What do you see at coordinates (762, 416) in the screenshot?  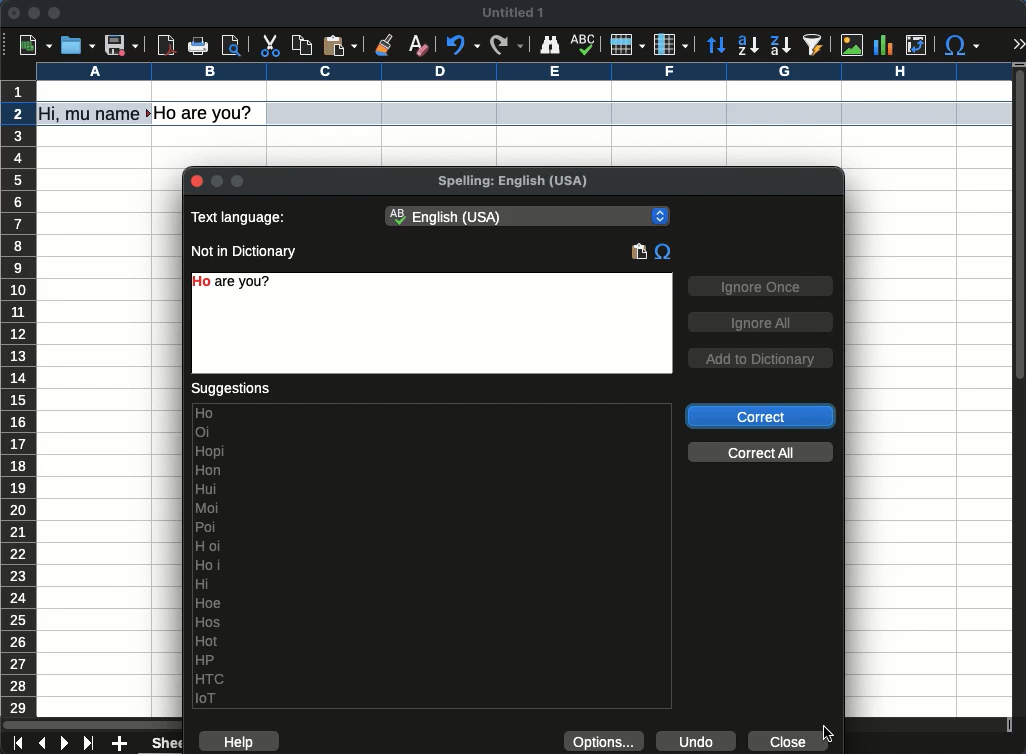 I see `correct` at bounding box center [762, 416].